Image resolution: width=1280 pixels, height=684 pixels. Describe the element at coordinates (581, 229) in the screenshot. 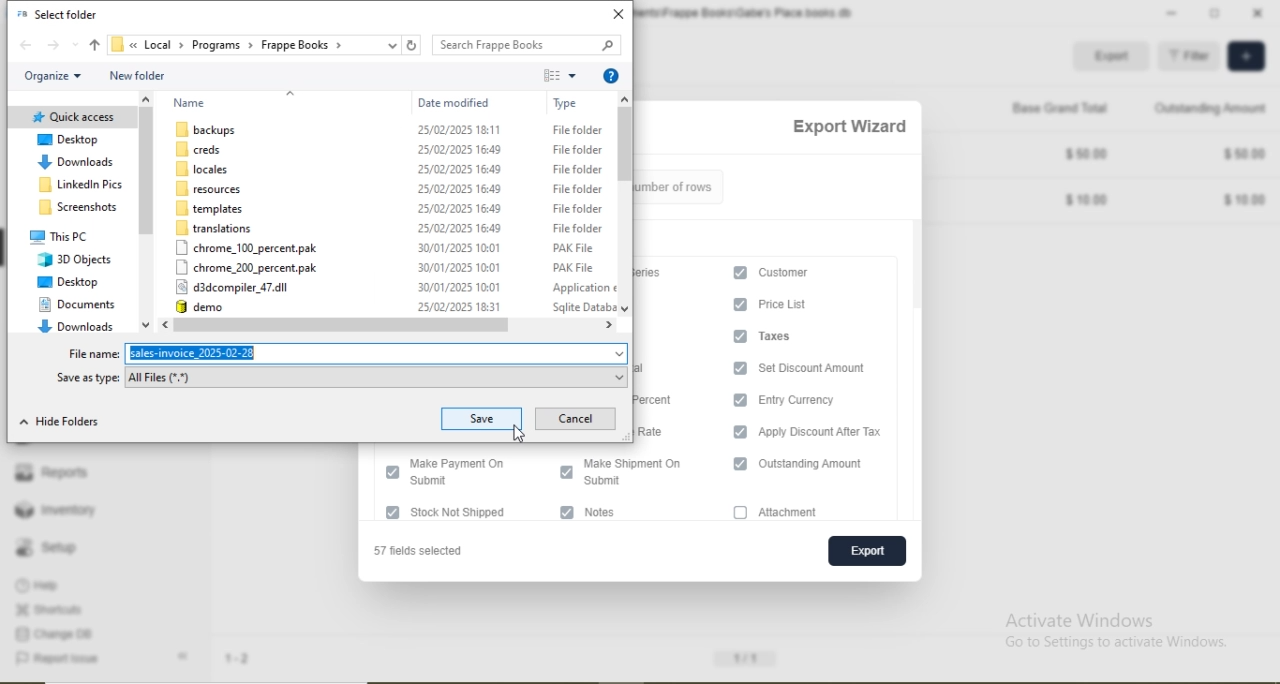

I see `File folder` at that location.